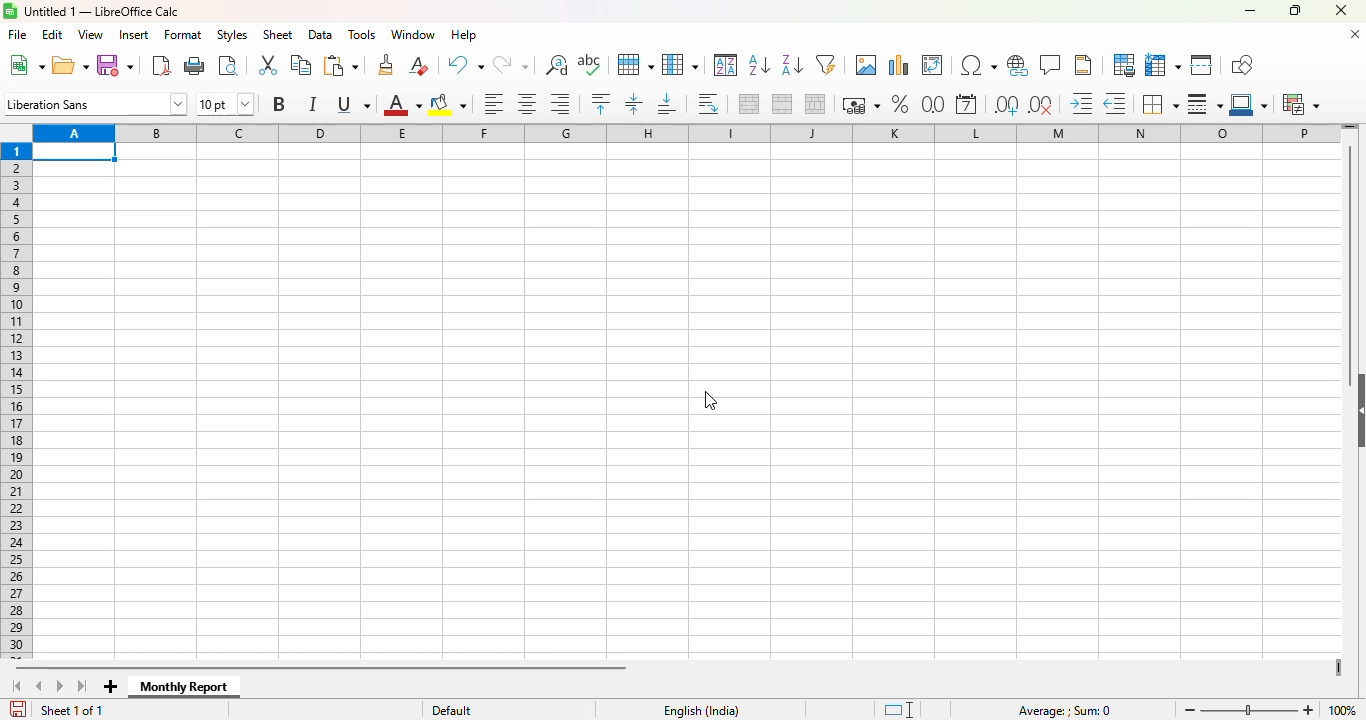 This screenshot has height=720, width=1366. Describe the element at coordinates (708, 105) in the screenshot. I see `wrap text` at that location.